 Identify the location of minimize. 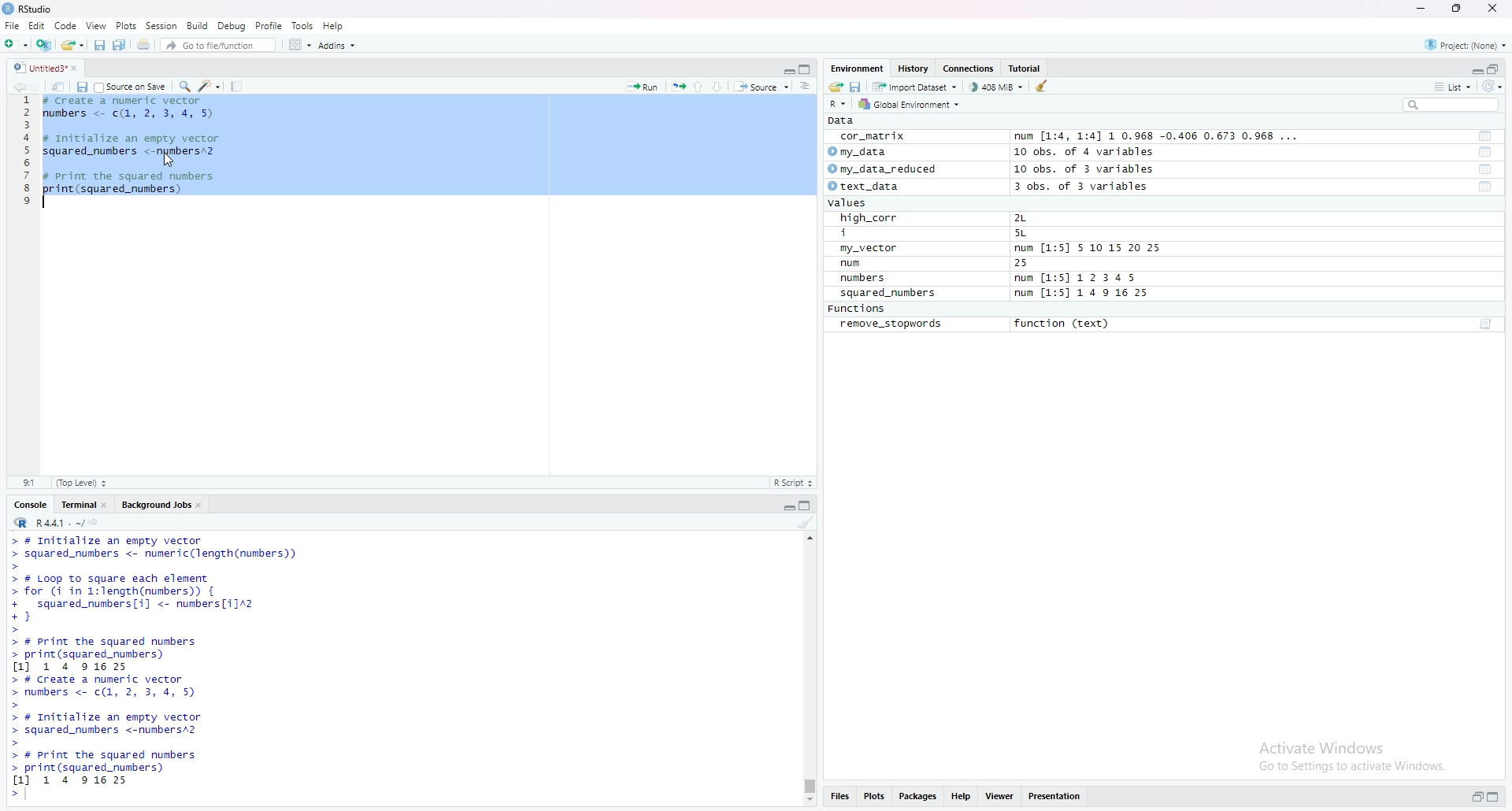
(1475, 68).